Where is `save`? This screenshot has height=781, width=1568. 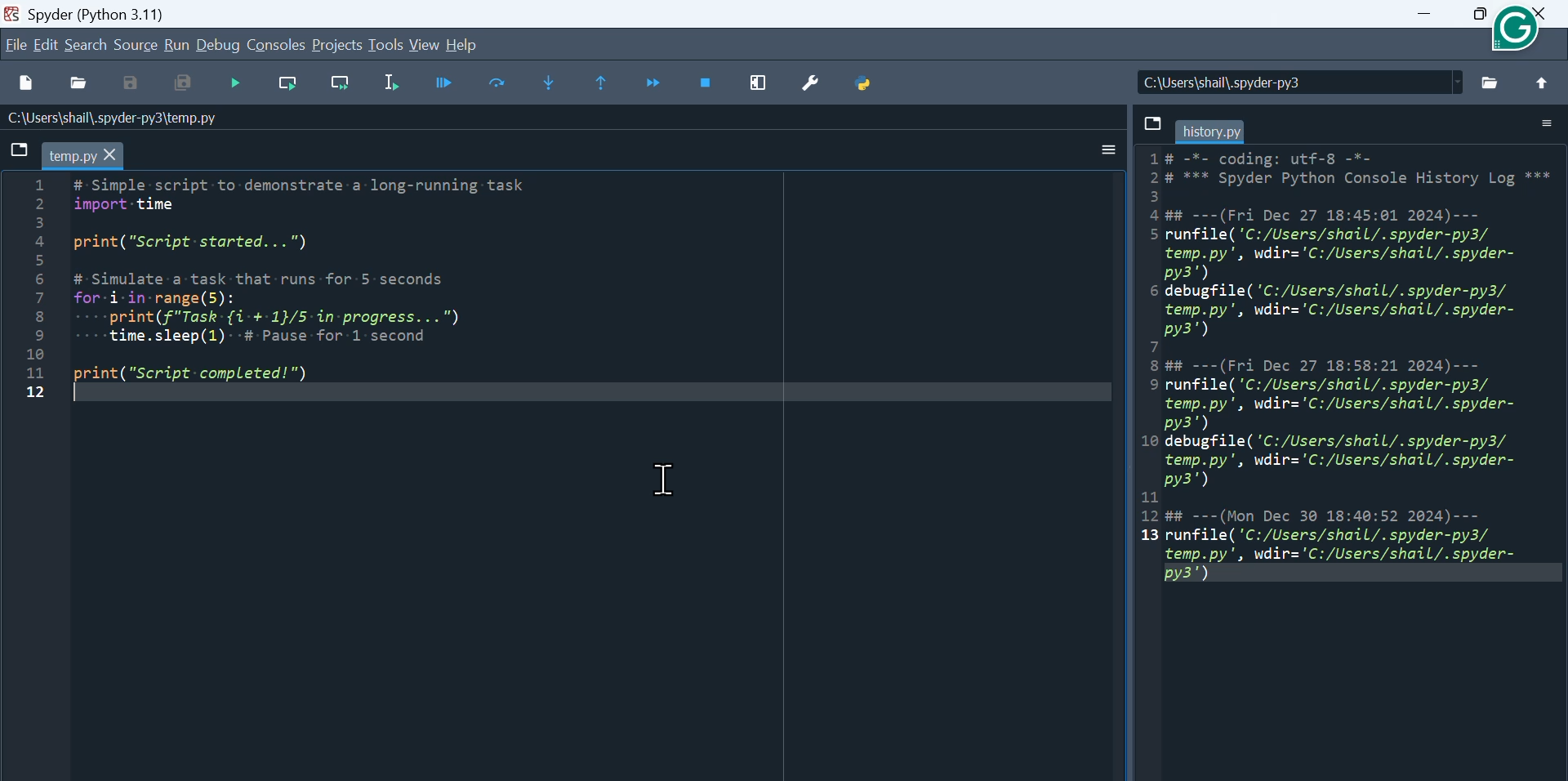 save is located at coordinates (133, 82).